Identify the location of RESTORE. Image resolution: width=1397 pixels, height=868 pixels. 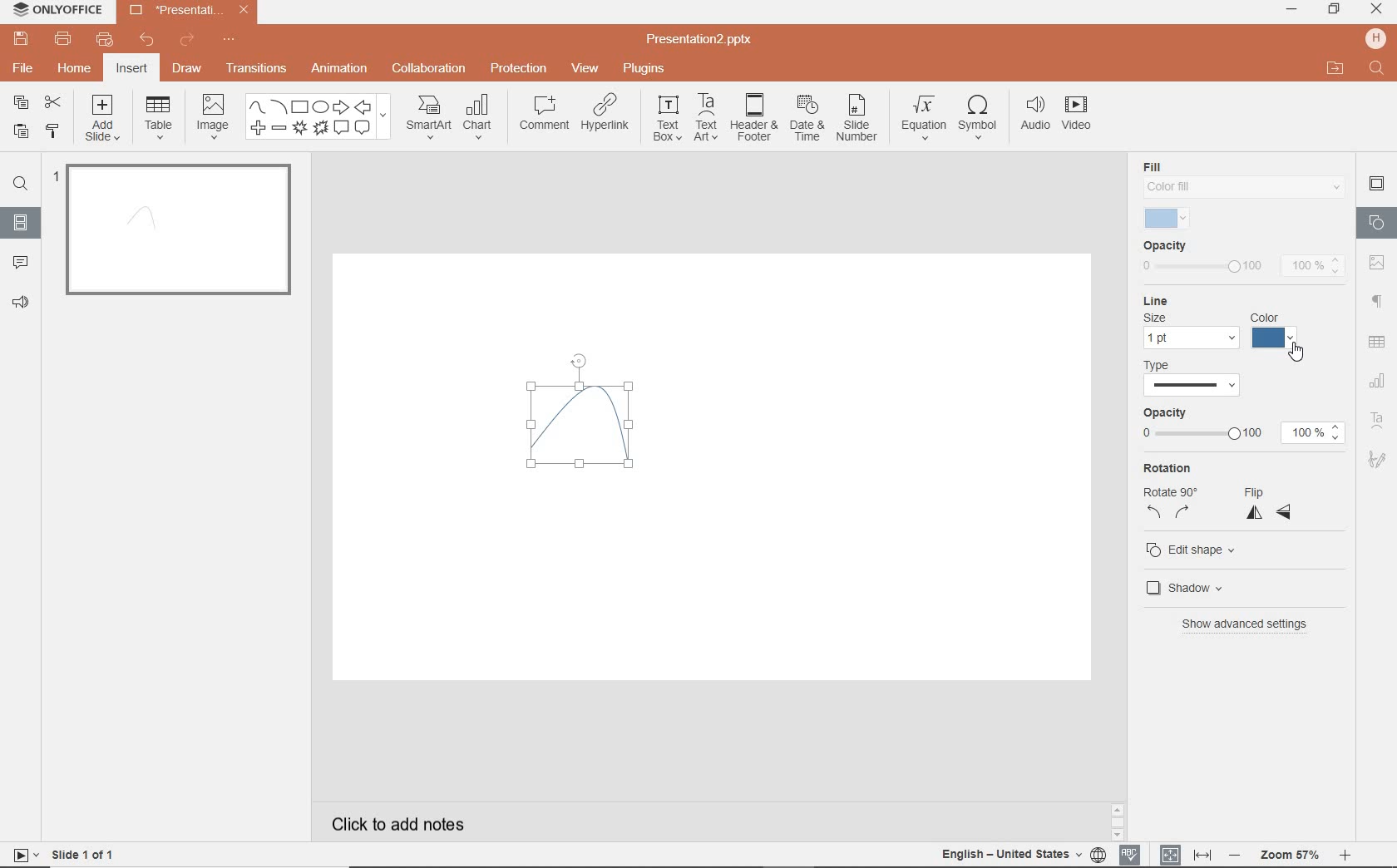
(1335, 9).